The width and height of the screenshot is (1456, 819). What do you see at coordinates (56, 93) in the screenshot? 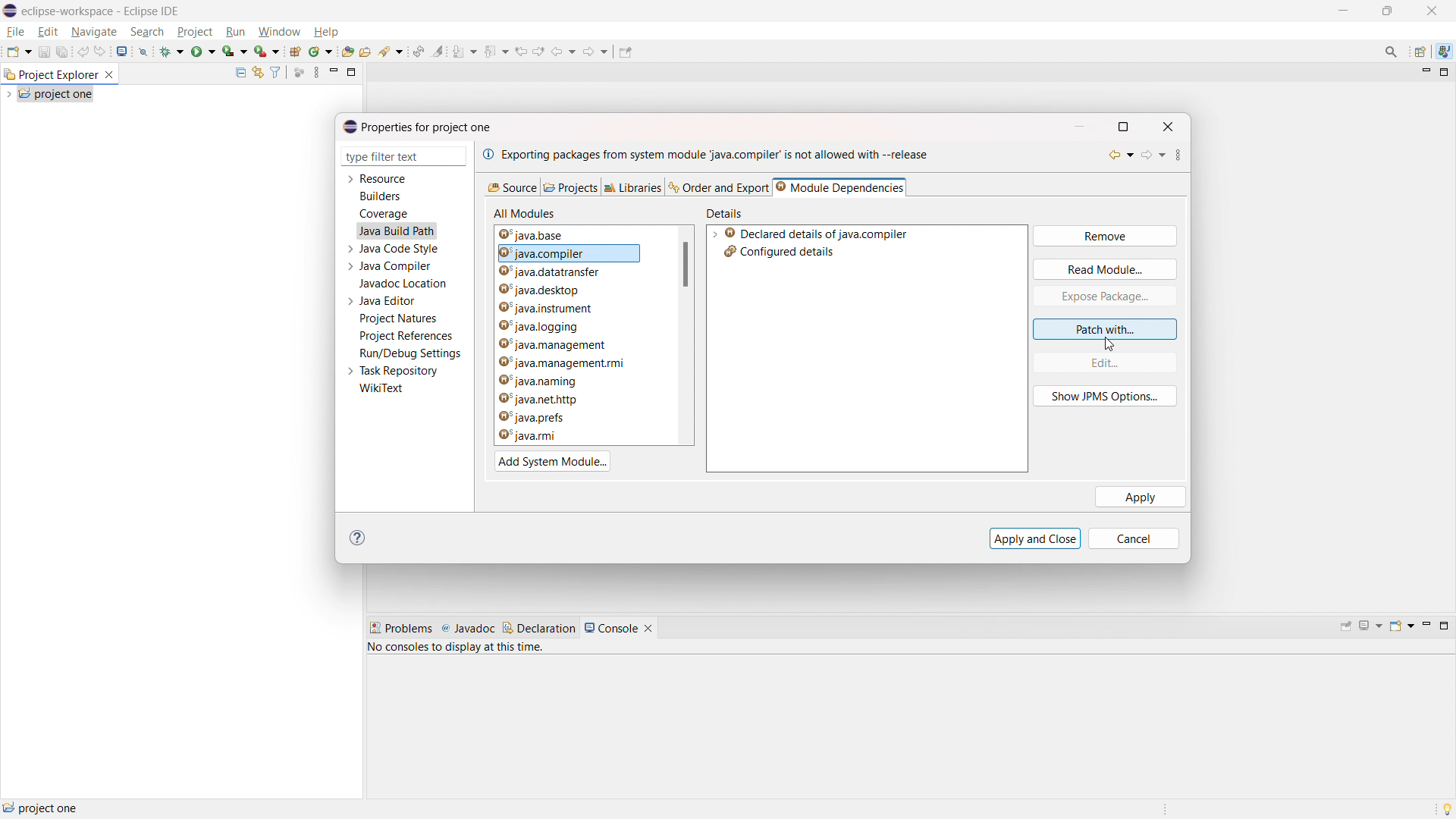
I see `project one` at bounding box center [56, 93].